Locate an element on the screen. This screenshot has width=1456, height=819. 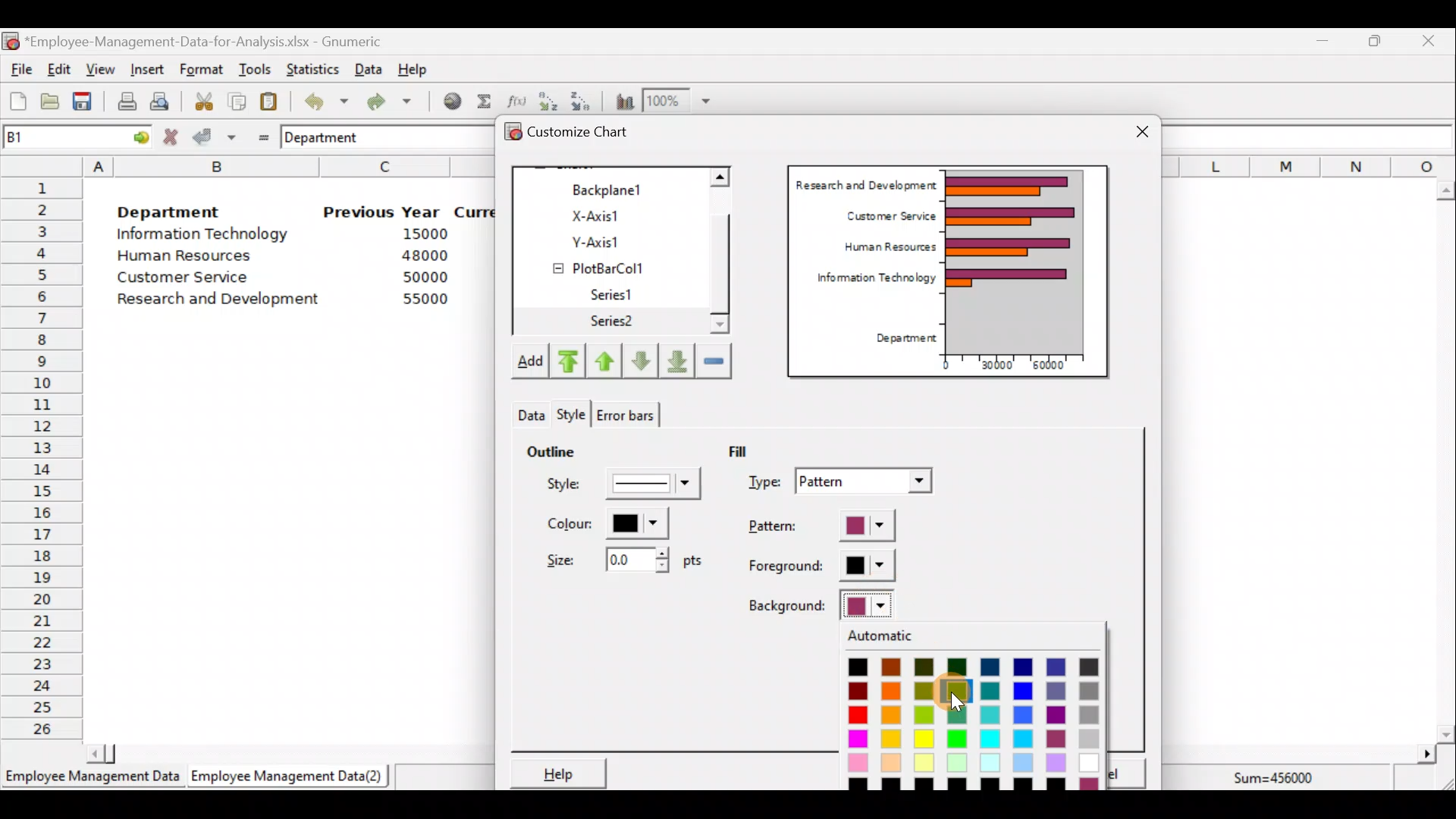
Employee Management Data (2) is located at coordinates (290, 777).